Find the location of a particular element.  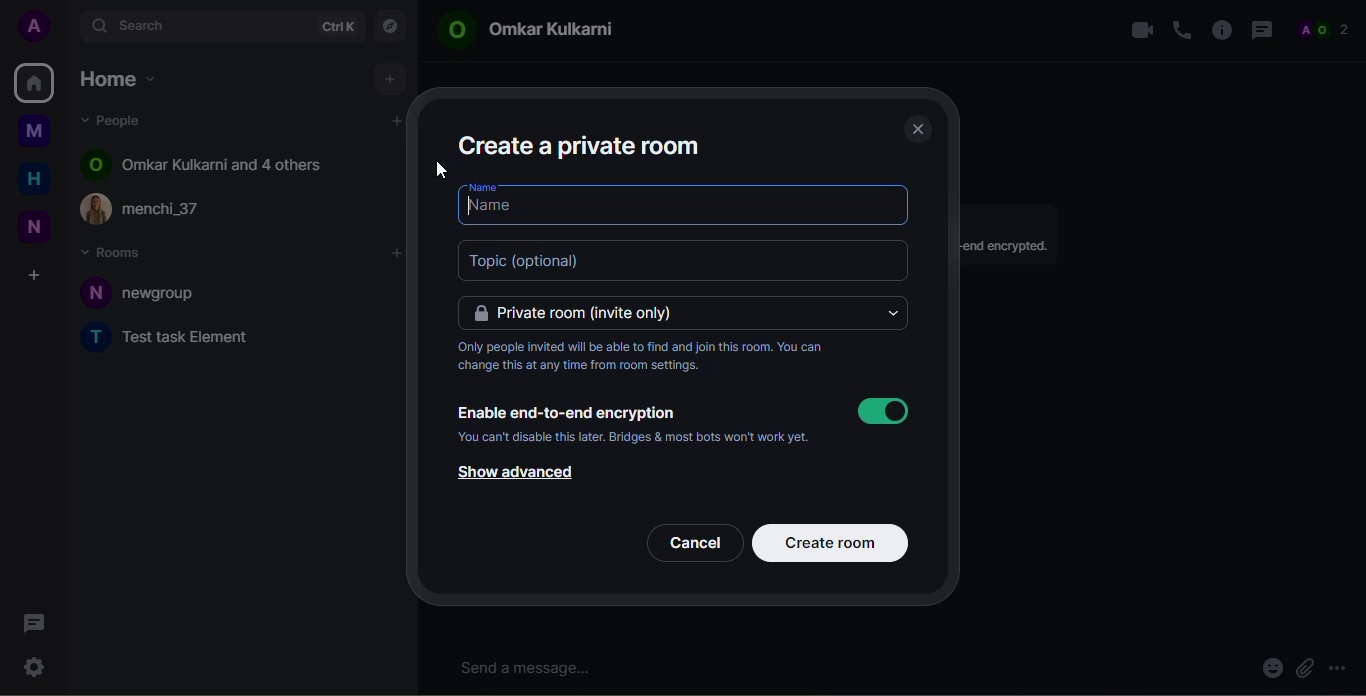

myspace is located at coordinates (34, 130).